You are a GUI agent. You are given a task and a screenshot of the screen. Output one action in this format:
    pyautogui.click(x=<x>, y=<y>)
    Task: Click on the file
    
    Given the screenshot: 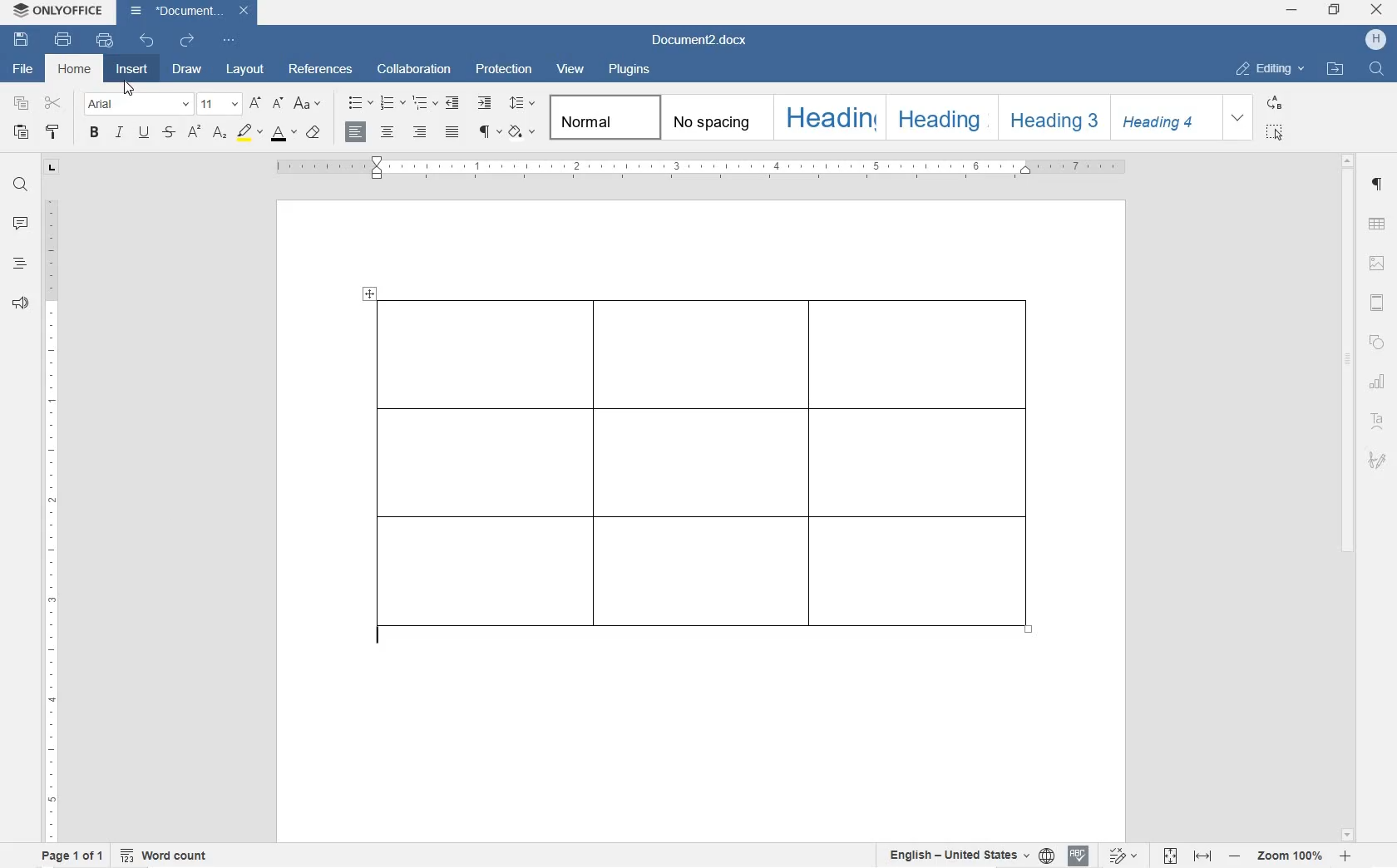 What is the action you would take?
    pyautogui.click(x=26, y=71)
    